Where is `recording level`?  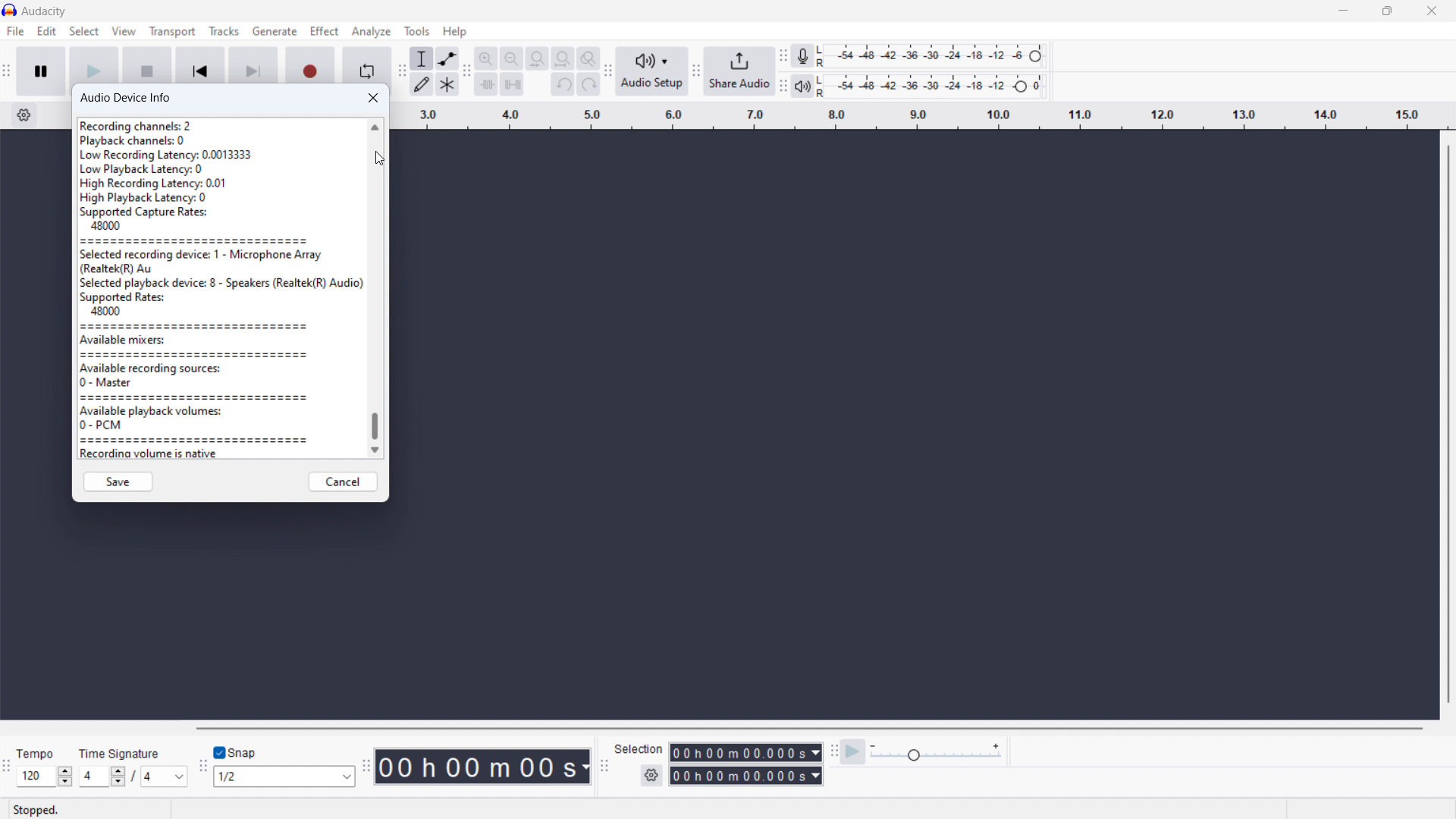 recording level is located at coordinates (929, 56).